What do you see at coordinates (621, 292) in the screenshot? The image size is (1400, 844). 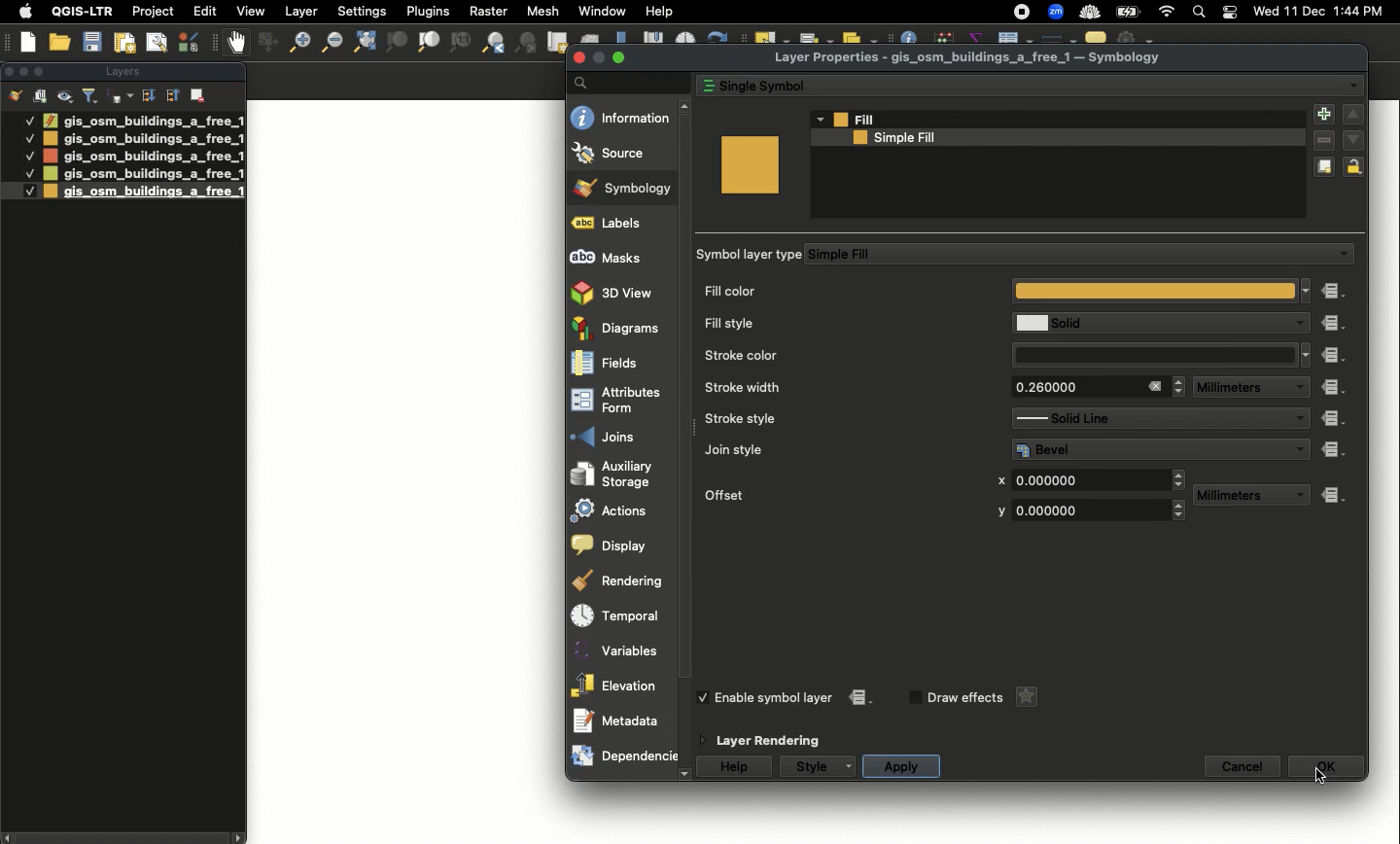 I see `3D view` at bounding box center [621, 292].